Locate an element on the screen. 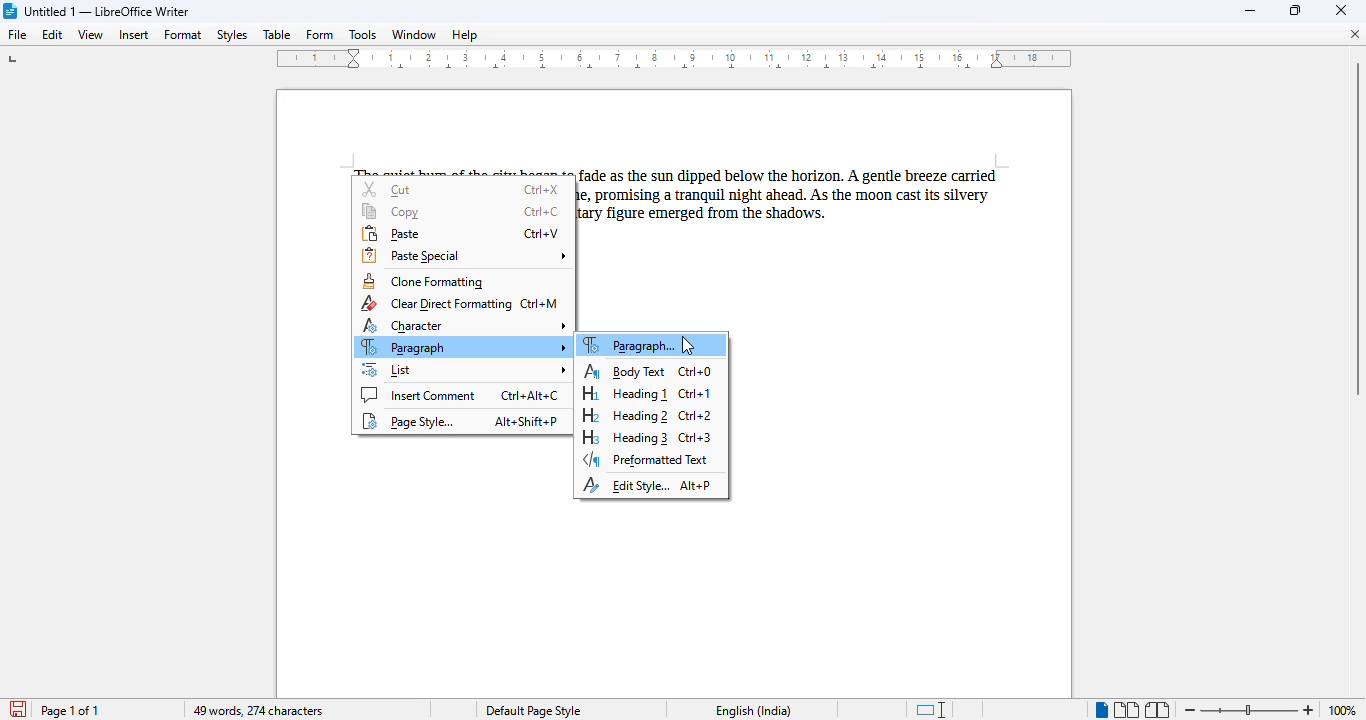 The height and width of the screenshot is (720, 1366). styles is located at coordinates (232, 35).